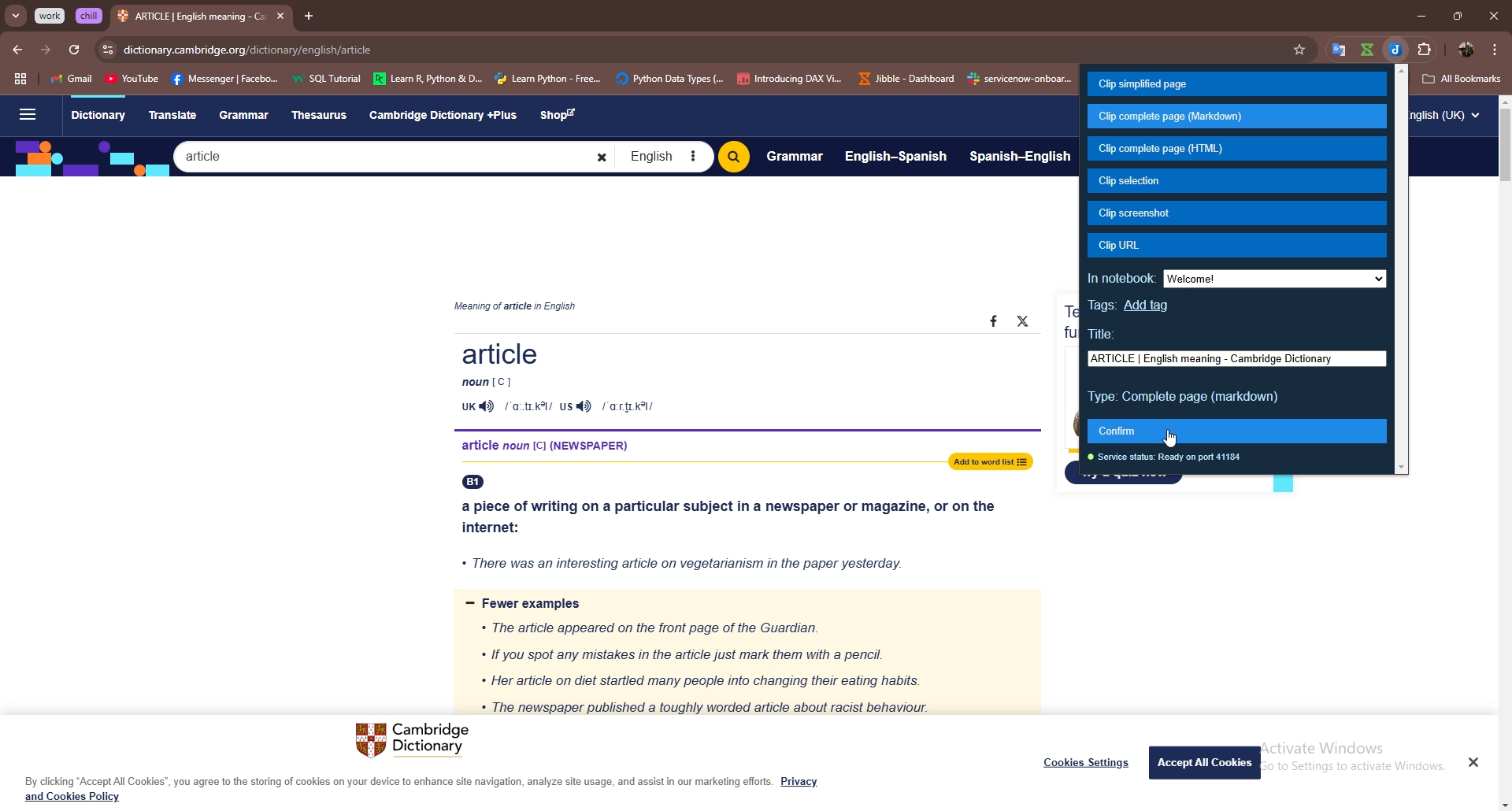 The height and width of the screenshot is (811, 1512). Describe the element at coordinates (735, 530) in the screenshot. I see `a piece of writing on a particular subject in a newspaper or magazine, or on the
internet:
« There was an interesting article on vegetarianism in the paper yesterday.` at that location.